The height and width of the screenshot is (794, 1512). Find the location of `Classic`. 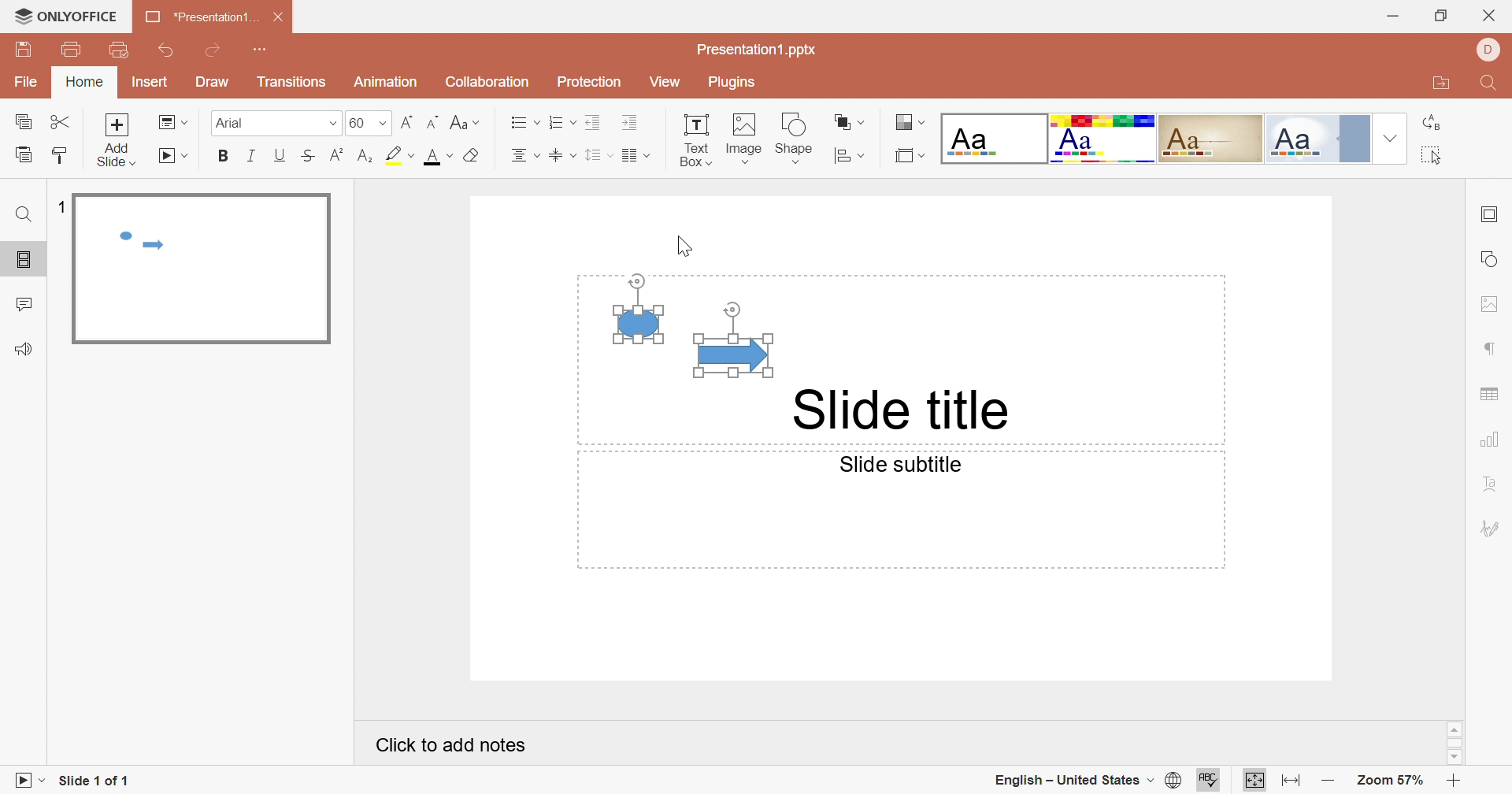

Classic is located at coordinates (1211, 141).